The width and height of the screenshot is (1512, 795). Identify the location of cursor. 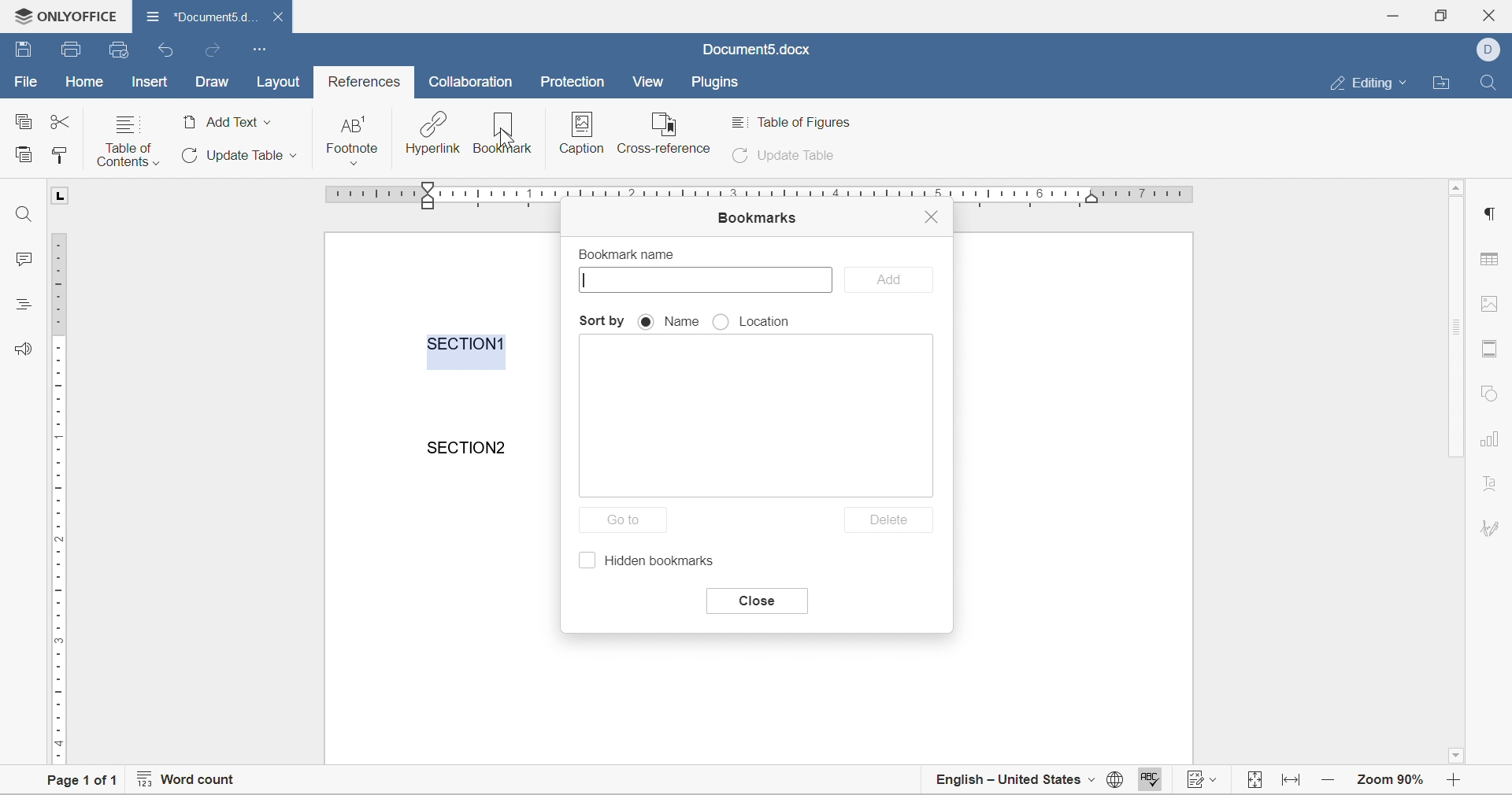
(506, 138).